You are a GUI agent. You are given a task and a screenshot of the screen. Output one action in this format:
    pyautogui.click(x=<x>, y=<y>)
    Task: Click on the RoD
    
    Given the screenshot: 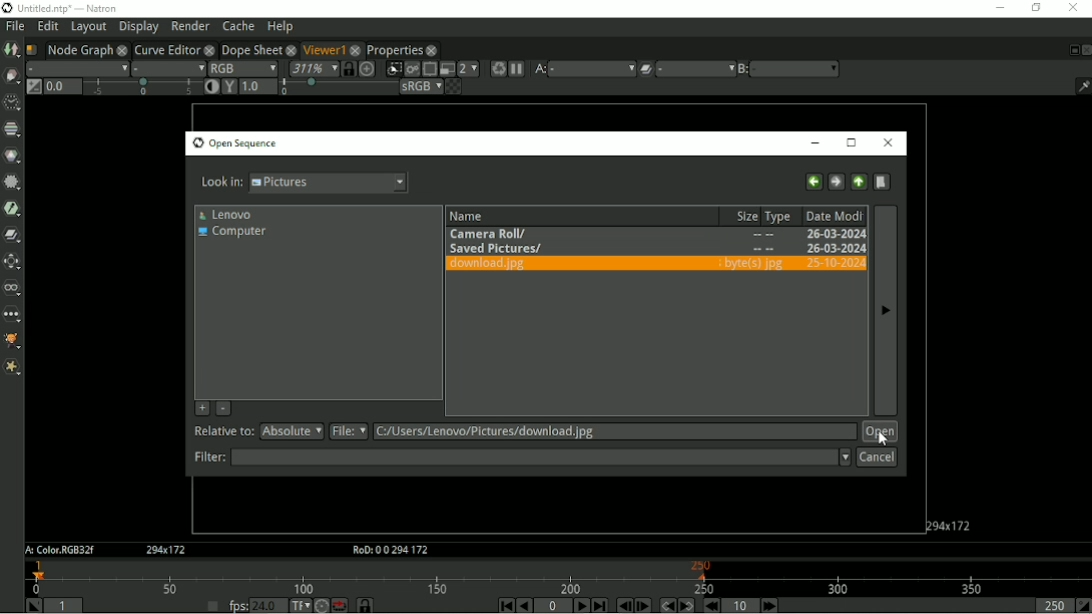 What is the action you would take?
    pyautogui.click(x=387, y=550)
    